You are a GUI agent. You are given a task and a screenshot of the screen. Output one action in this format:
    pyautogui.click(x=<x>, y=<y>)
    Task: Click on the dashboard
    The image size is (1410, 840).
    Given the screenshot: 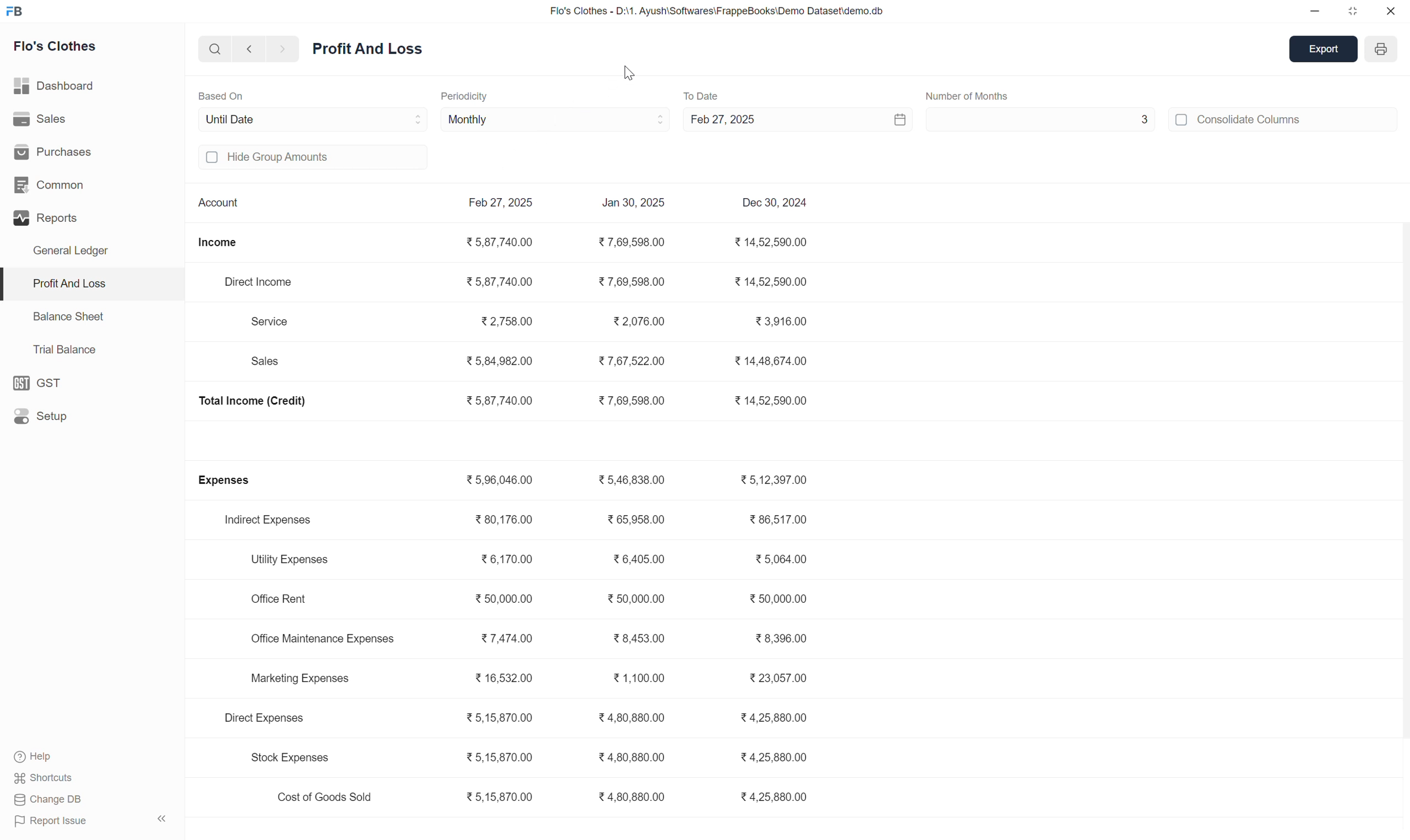 What is the action you would take?
    pyautogui.click(x=55, y=83)
    